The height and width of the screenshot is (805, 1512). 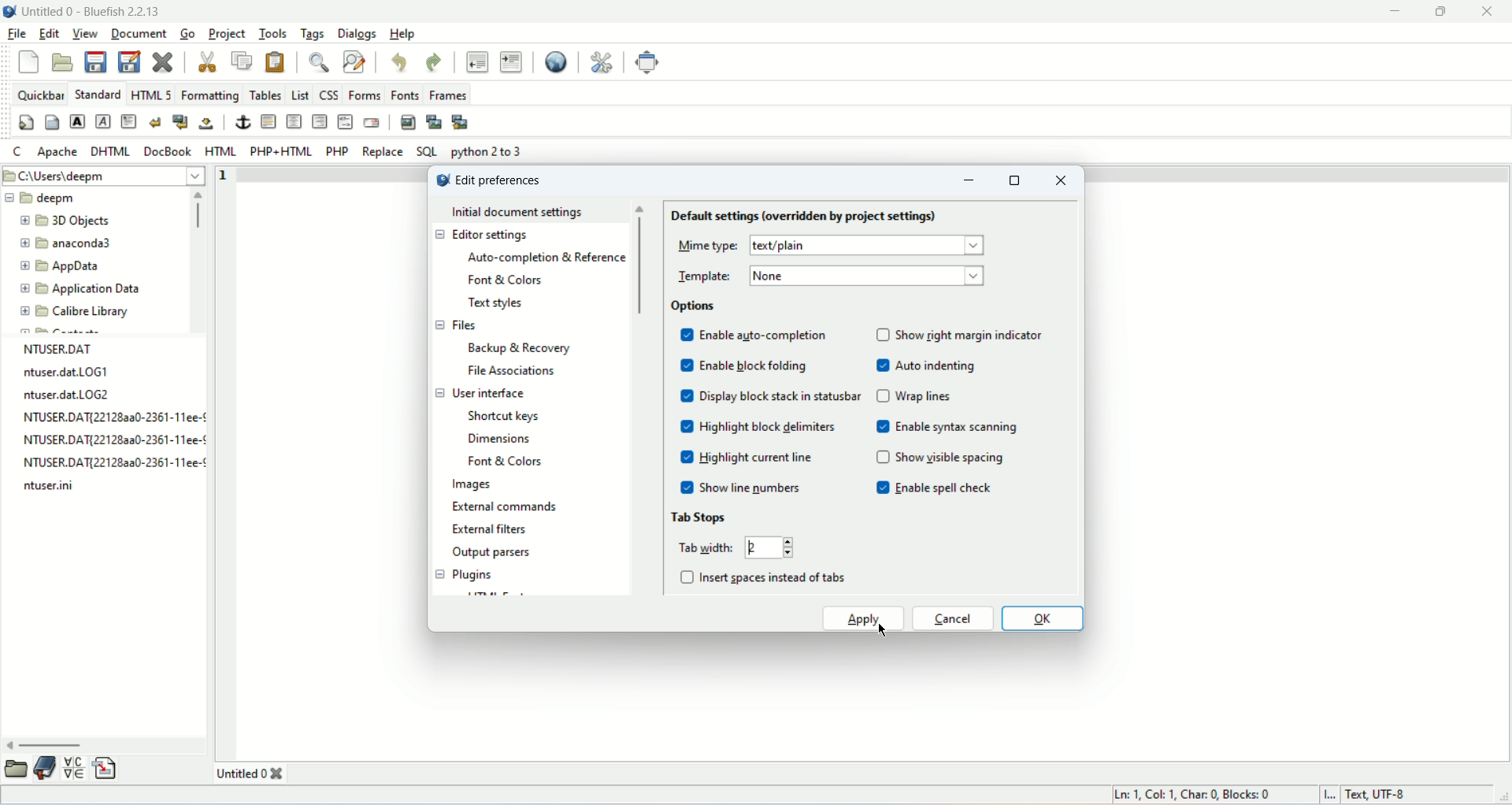 What do you see at coordinates (880, 413) in the screenshot?
I see `check box` at bounding box center [880, 413].